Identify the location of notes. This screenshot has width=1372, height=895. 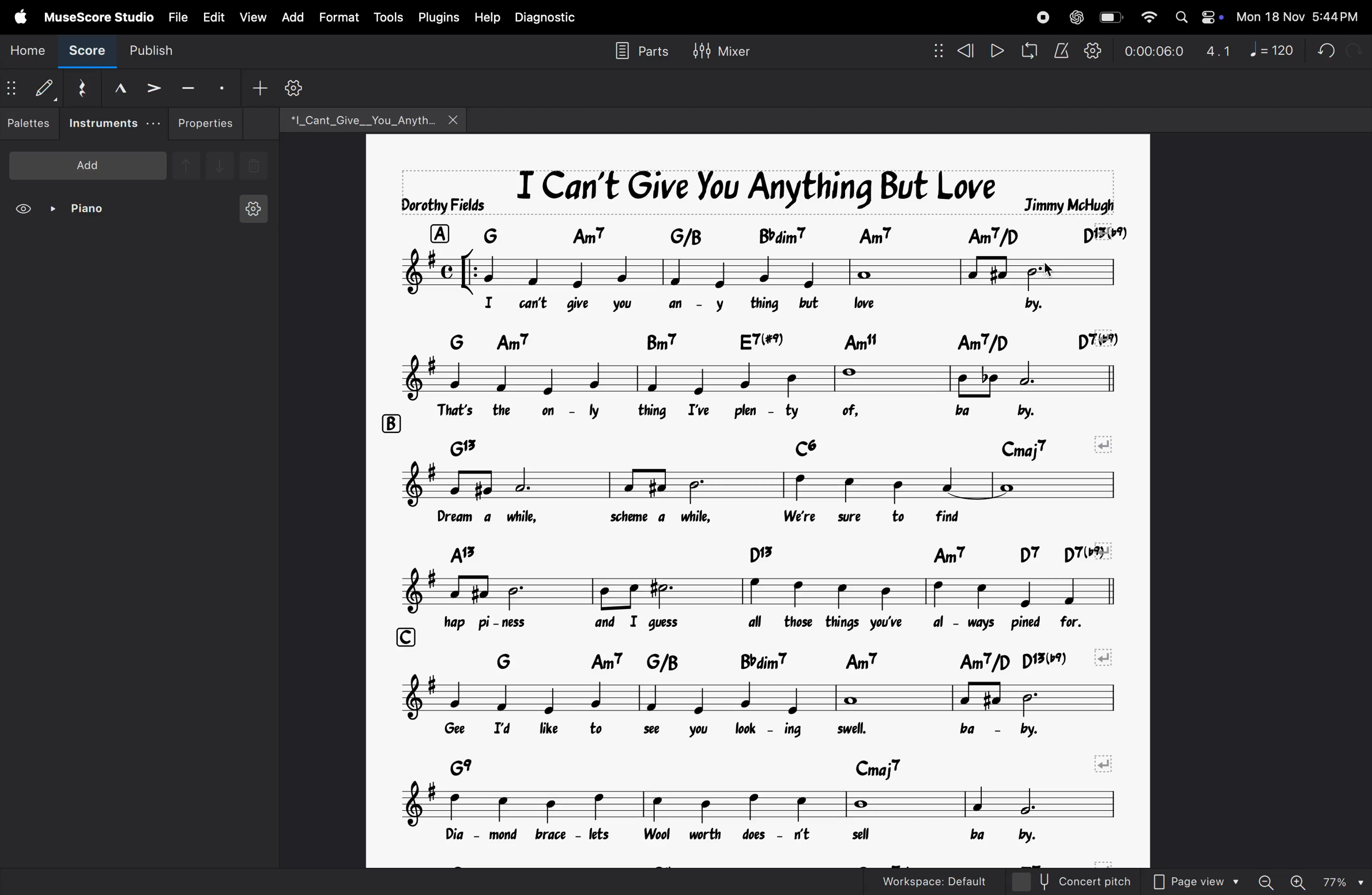
(764, 516).